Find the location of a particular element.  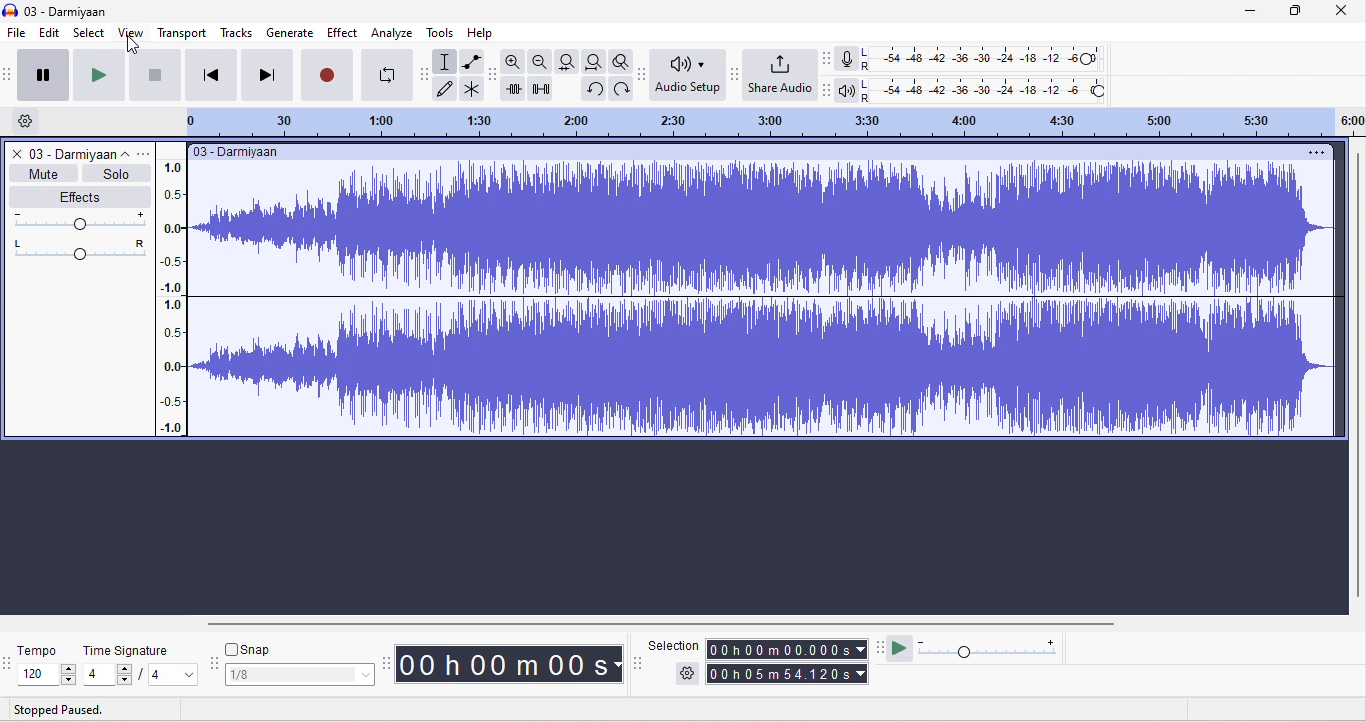

vertical scroll bar is located at coordinates (1357, 379).